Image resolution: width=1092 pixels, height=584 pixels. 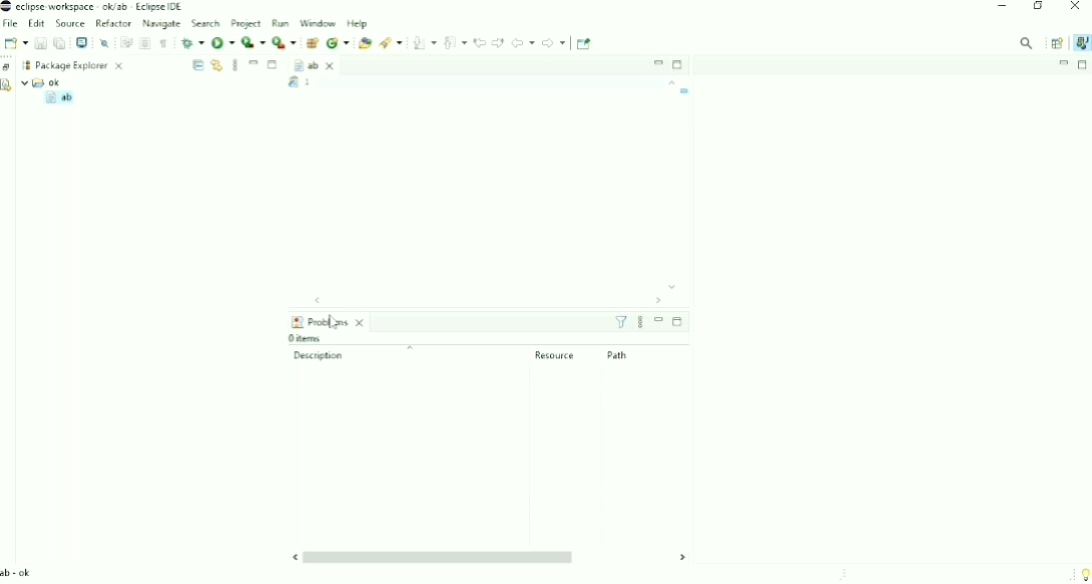 What do you see at coordinates (1055, 42) in the screenshot?
I see `Open Perspective` at bounding box center [1055, 42].